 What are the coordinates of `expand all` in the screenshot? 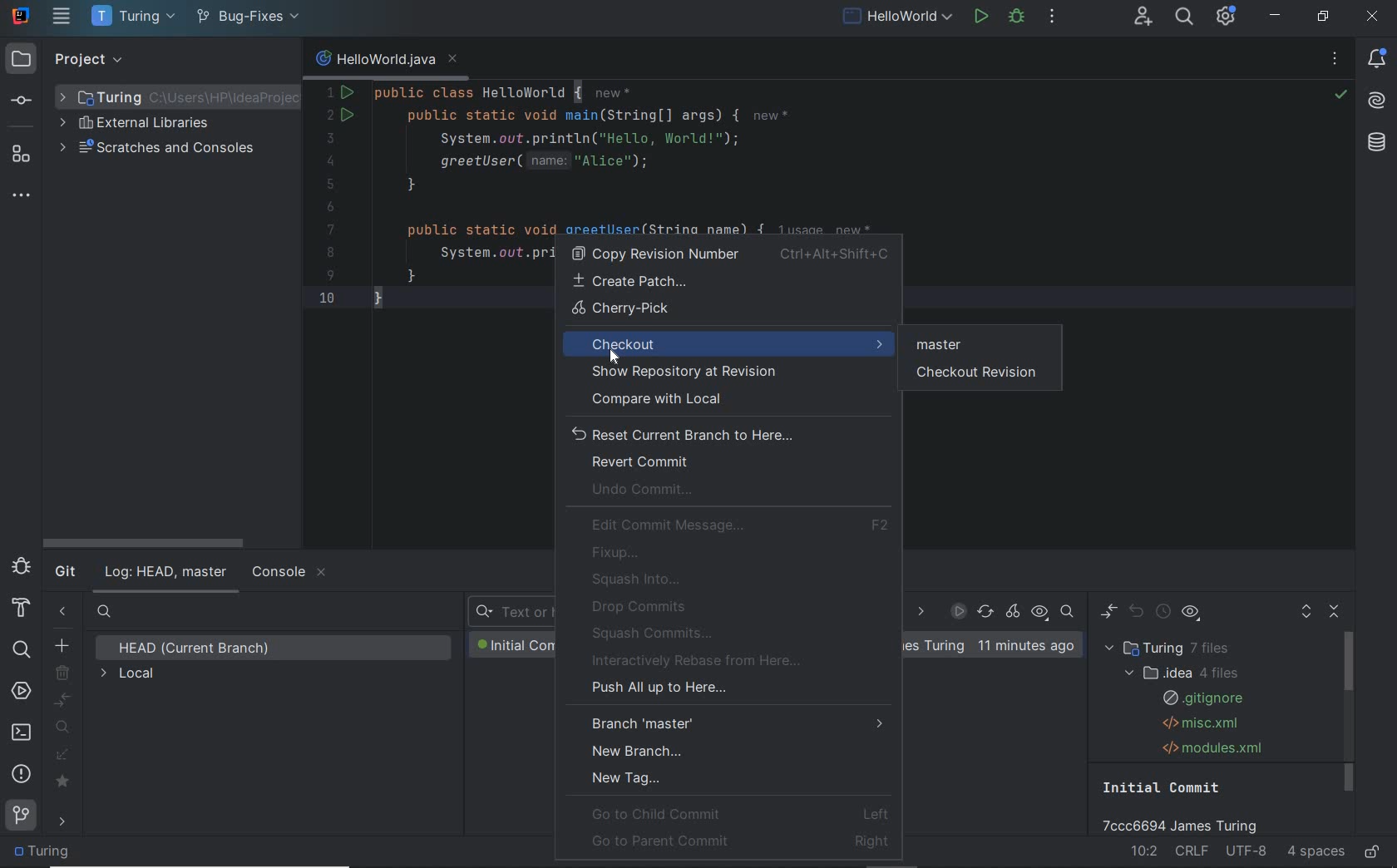 It's located at (1306, 614).